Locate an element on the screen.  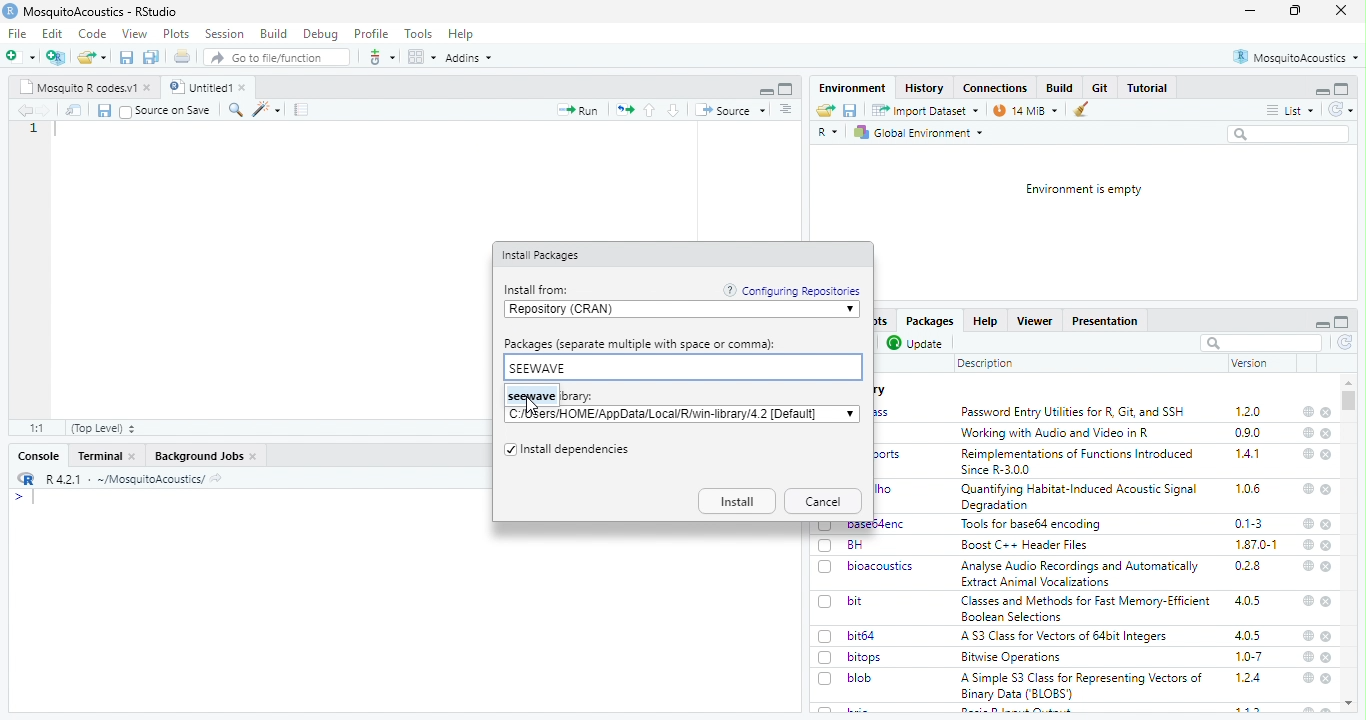
close is located at coordinates (1326, 455).